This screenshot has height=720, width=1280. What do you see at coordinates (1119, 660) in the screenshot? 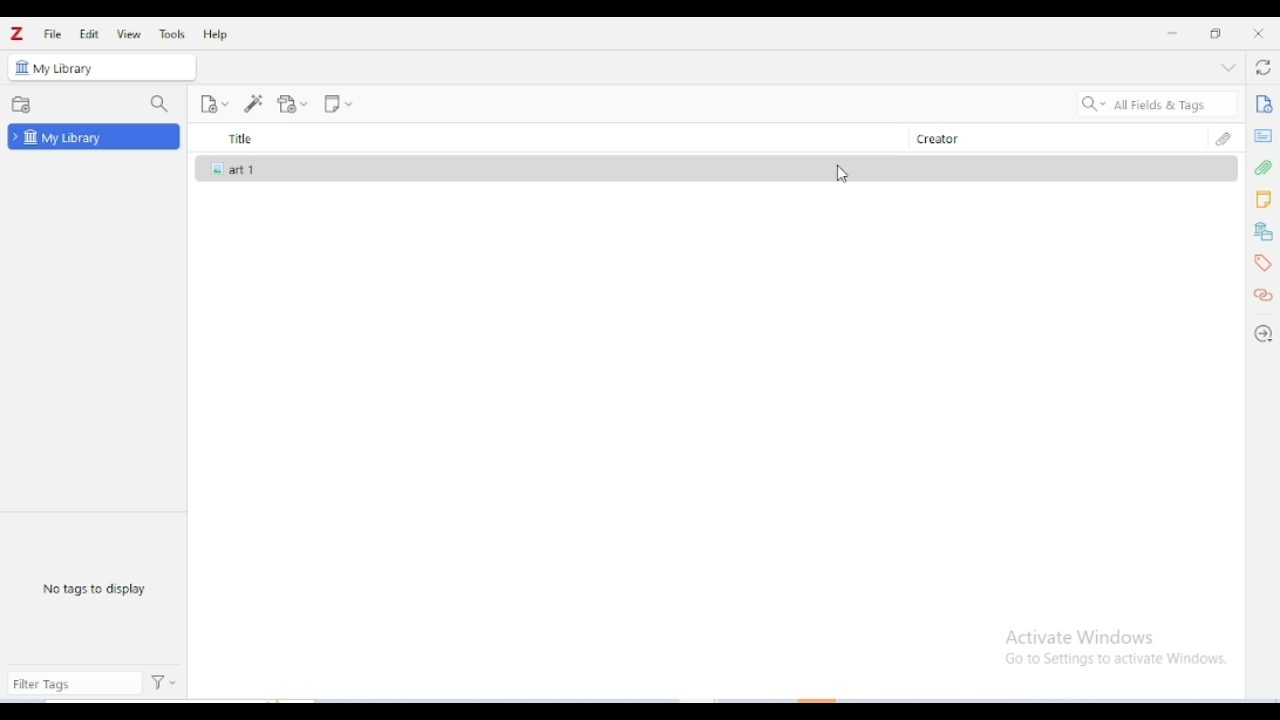
I see `Go to Settings to activate Windows.` at bounding box center [1119, 660].